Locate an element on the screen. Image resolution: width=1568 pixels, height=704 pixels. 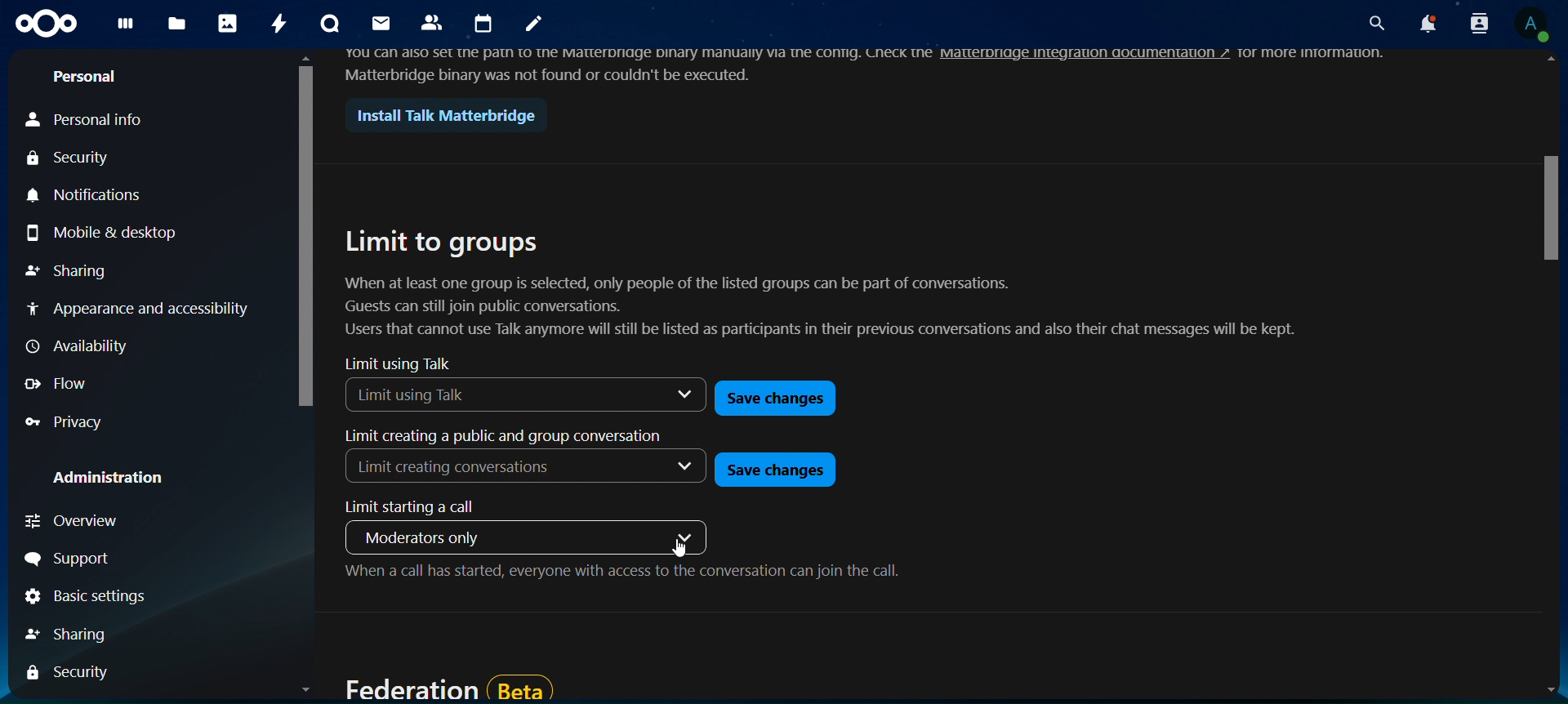
privacy is located at coordinates (74, 423).